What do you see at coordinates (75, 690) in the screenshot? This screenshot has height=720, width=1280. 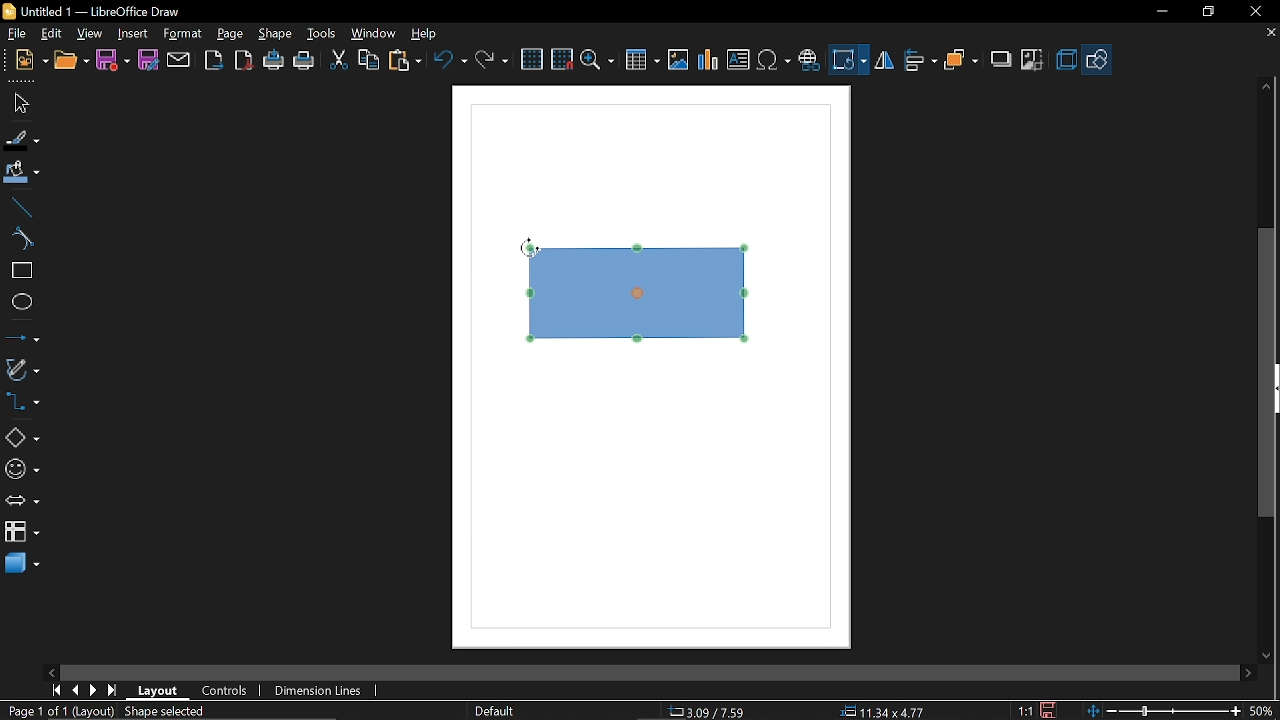 I see `previous page` at bounding box center [75, 690].